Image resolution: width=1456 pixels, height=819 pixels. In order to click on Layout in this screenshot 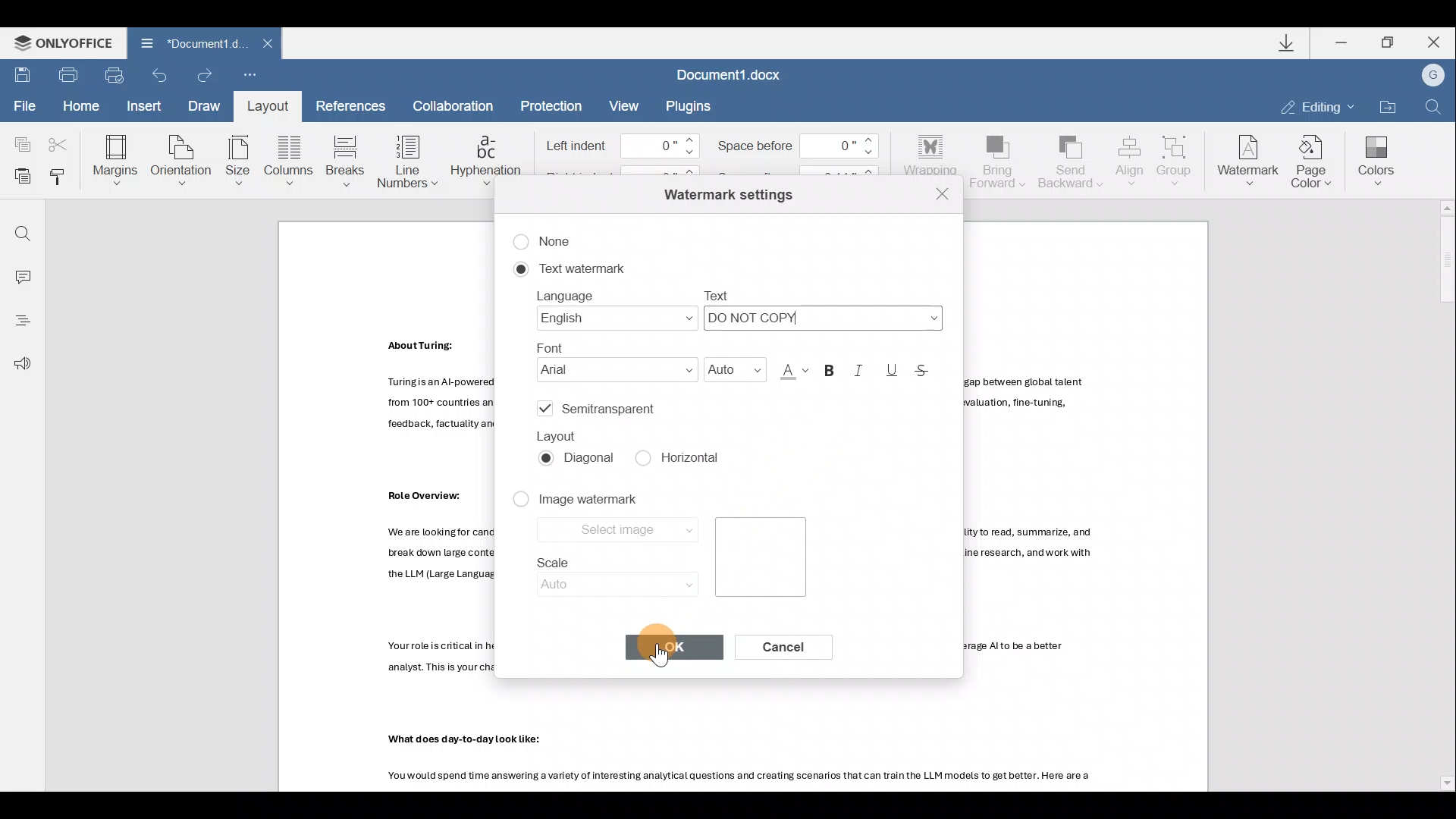, I will do `click(272, 107)`.